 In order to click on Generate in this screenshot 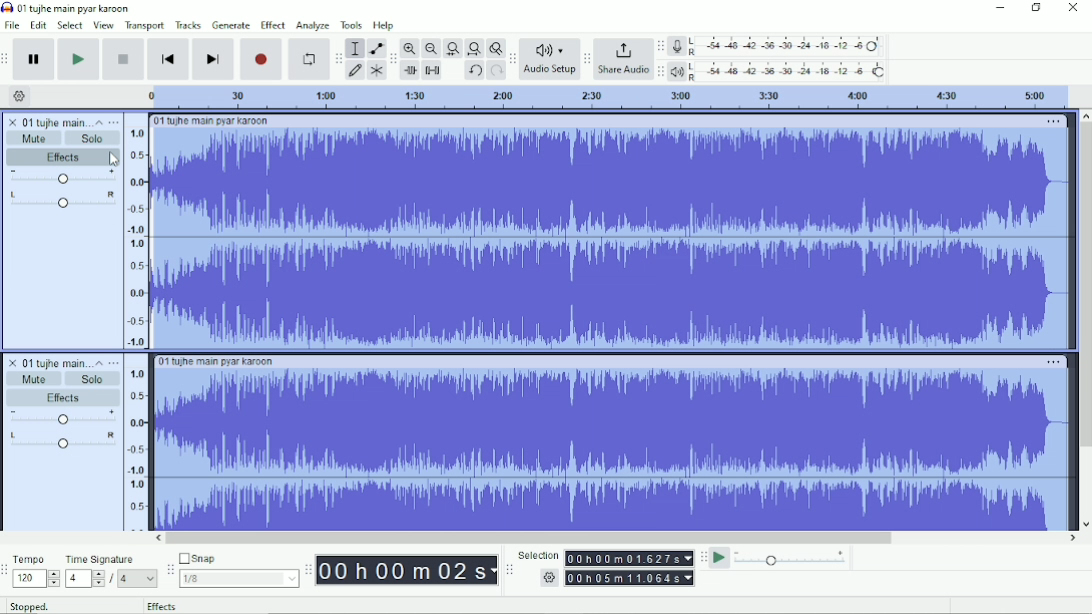, I will do `click(231, 25)`.